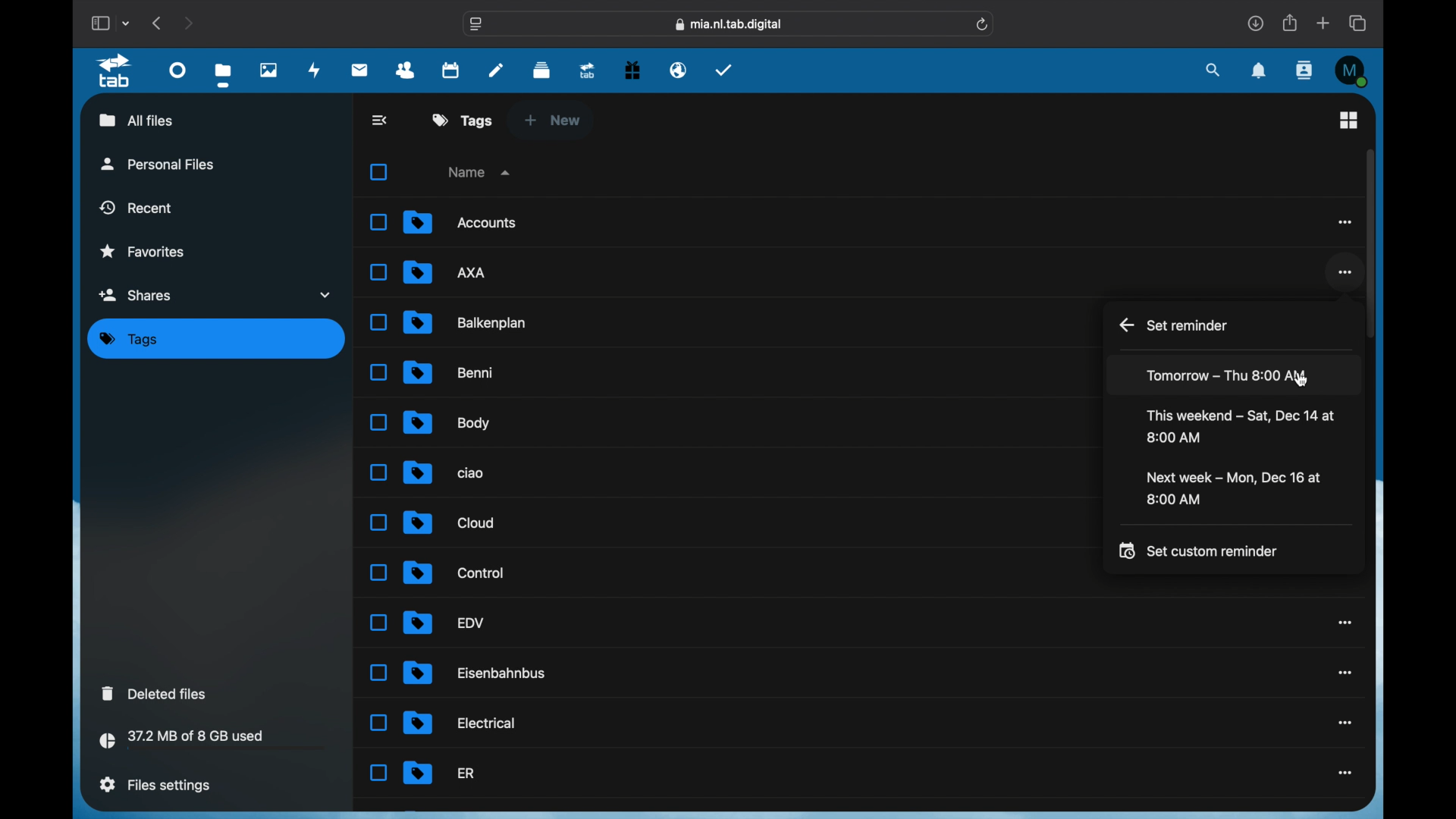 Image resolution: width=1456 pixels, height=819 pixels. Describe the element at coordinates (1260, 71) in the screenshot. I see `notifications` at that location.